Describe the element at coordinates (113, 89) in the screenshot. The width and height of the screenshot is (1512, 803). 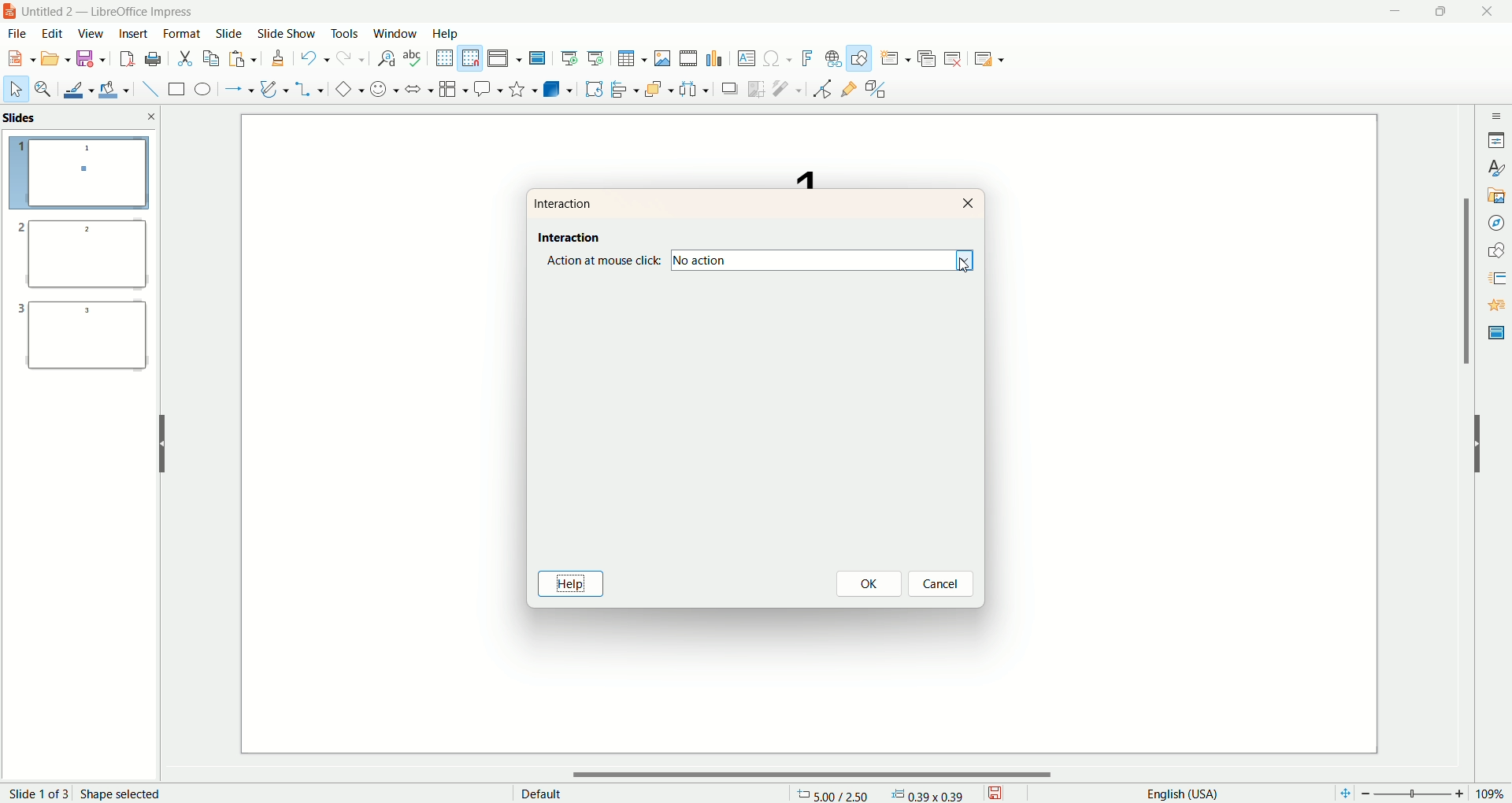
I see `fill color` at that location.